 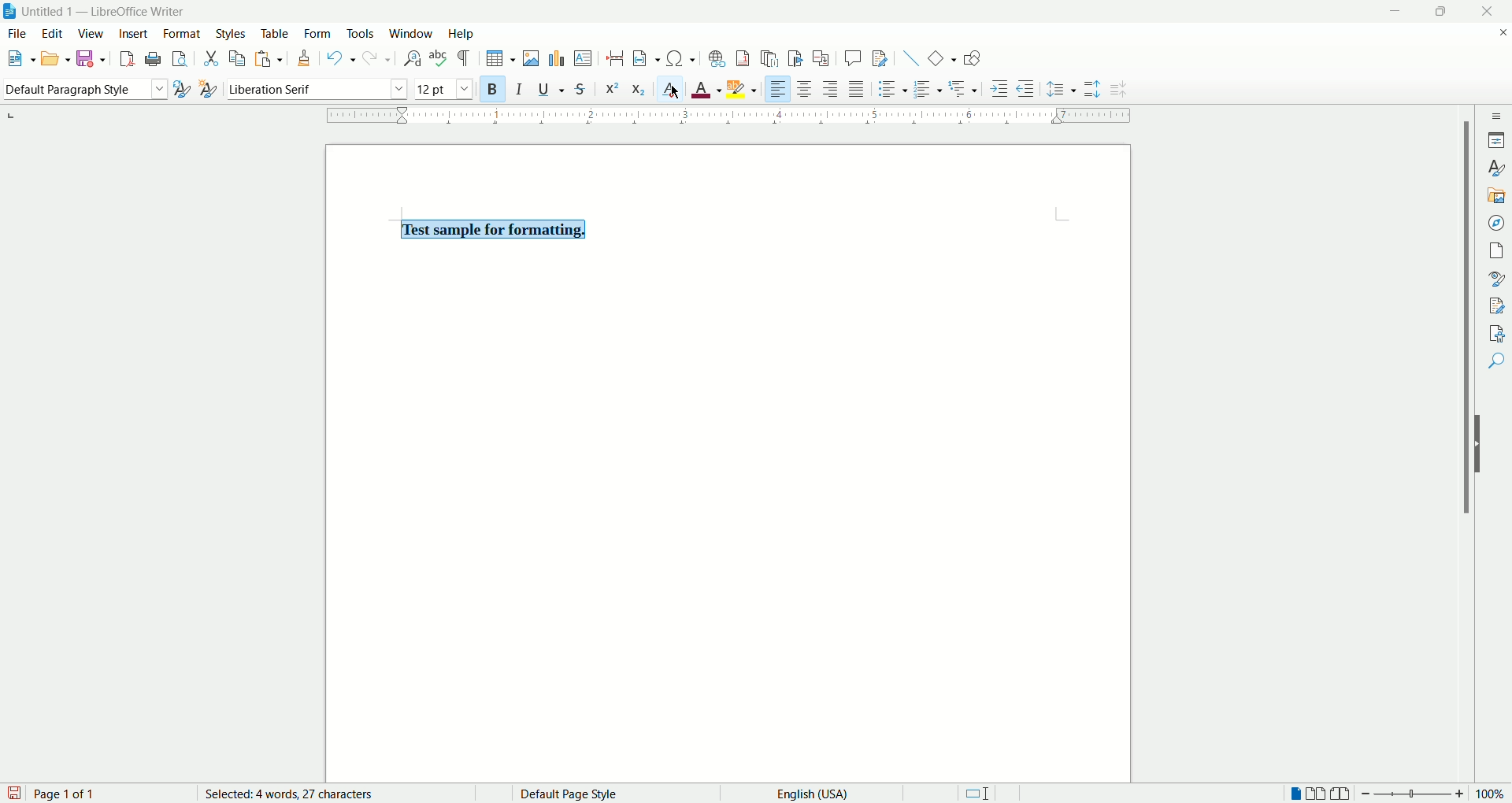 I want to click on insert image, so click(x=528, y=58).